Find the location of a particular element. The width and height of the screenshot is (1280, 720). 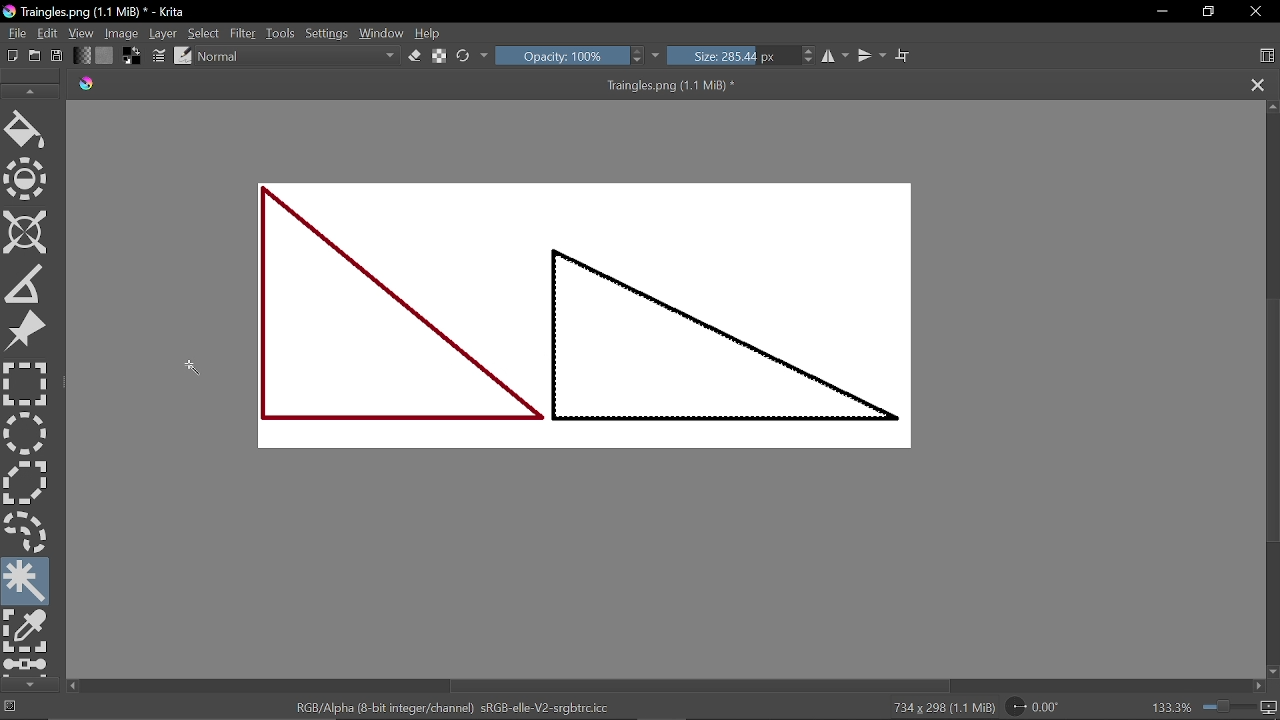

Choose brush preset is located at coordinates (184, 56).